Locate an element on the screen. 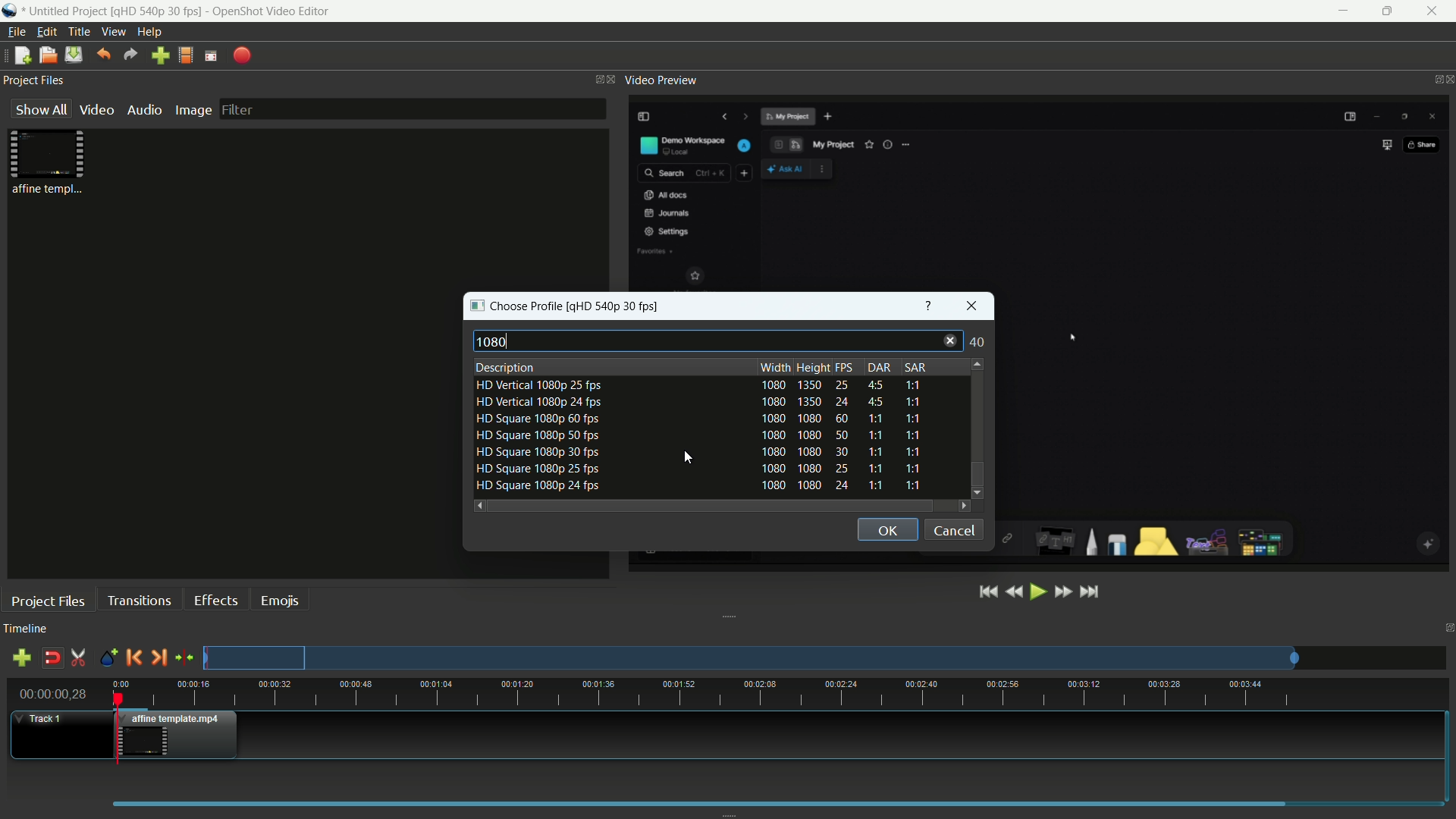 The image size is (1456, 819). scroll bar is located at coordinates (976, 413).